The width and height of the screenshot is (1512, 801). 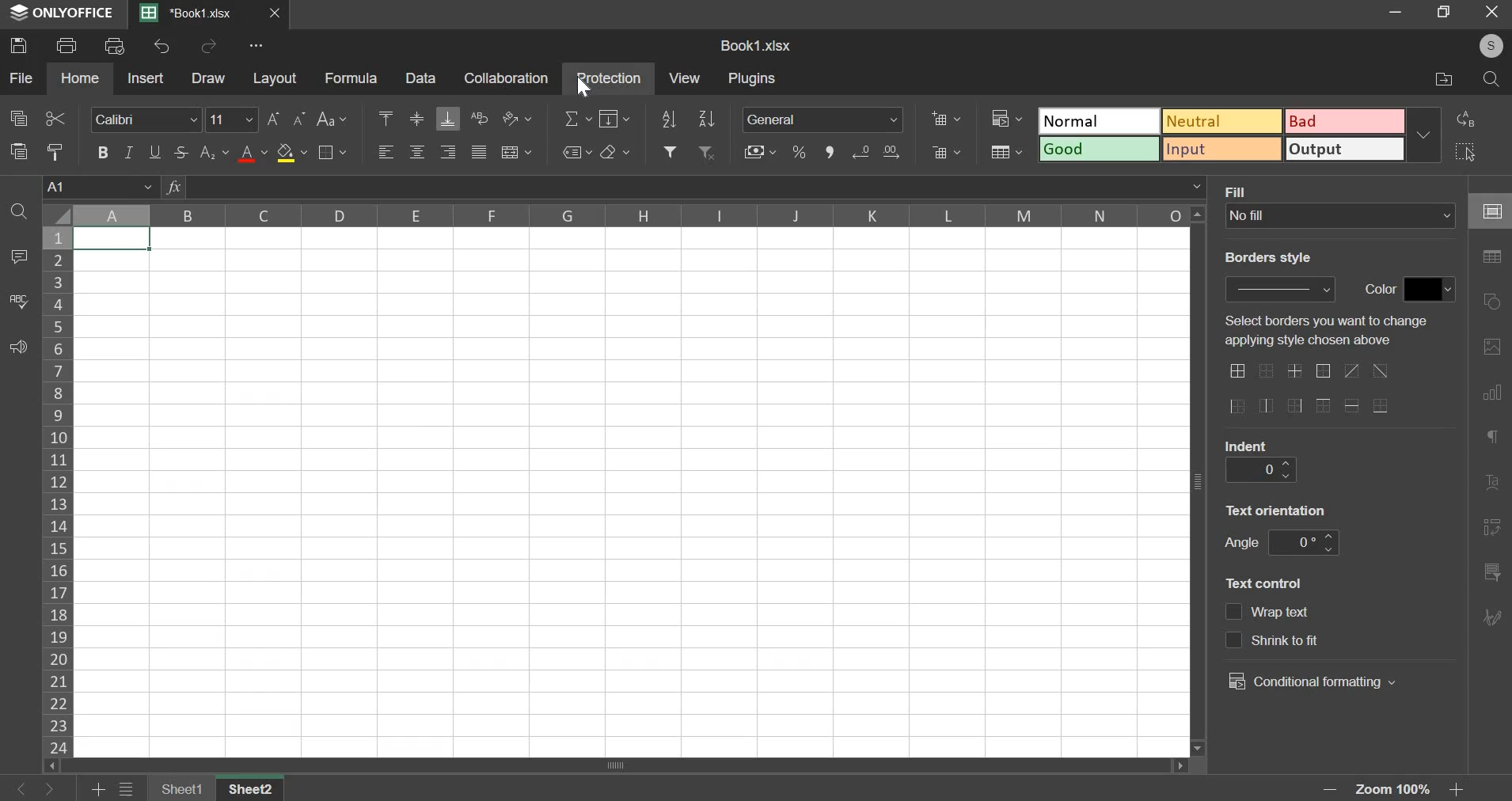 I want to click on cut, so click(x=55, y=116).